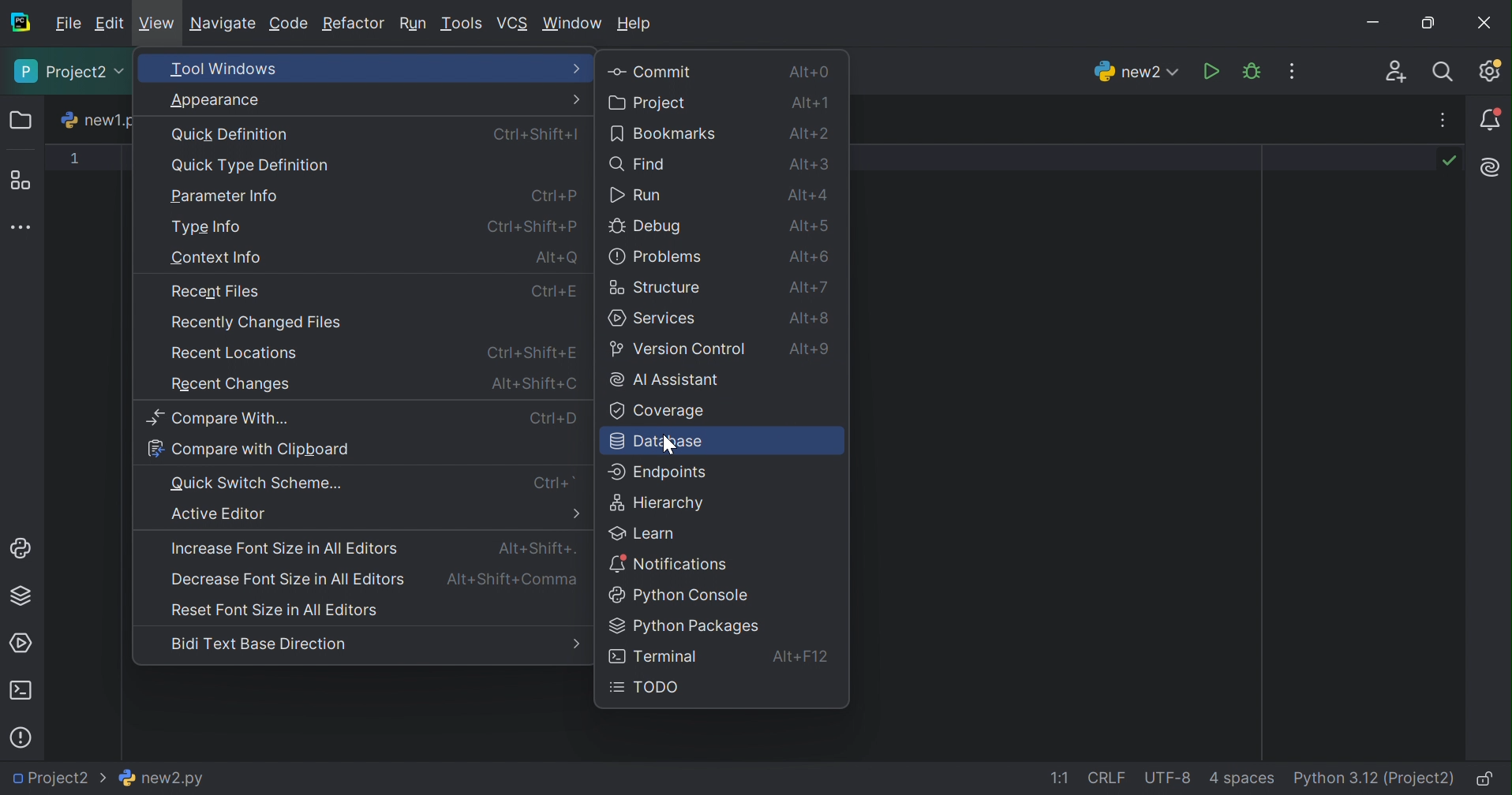 This screenshot has height=795, width=1512. Describe the element at coordinates (682, 594) in the screenshot. I see `Python console` at that location.